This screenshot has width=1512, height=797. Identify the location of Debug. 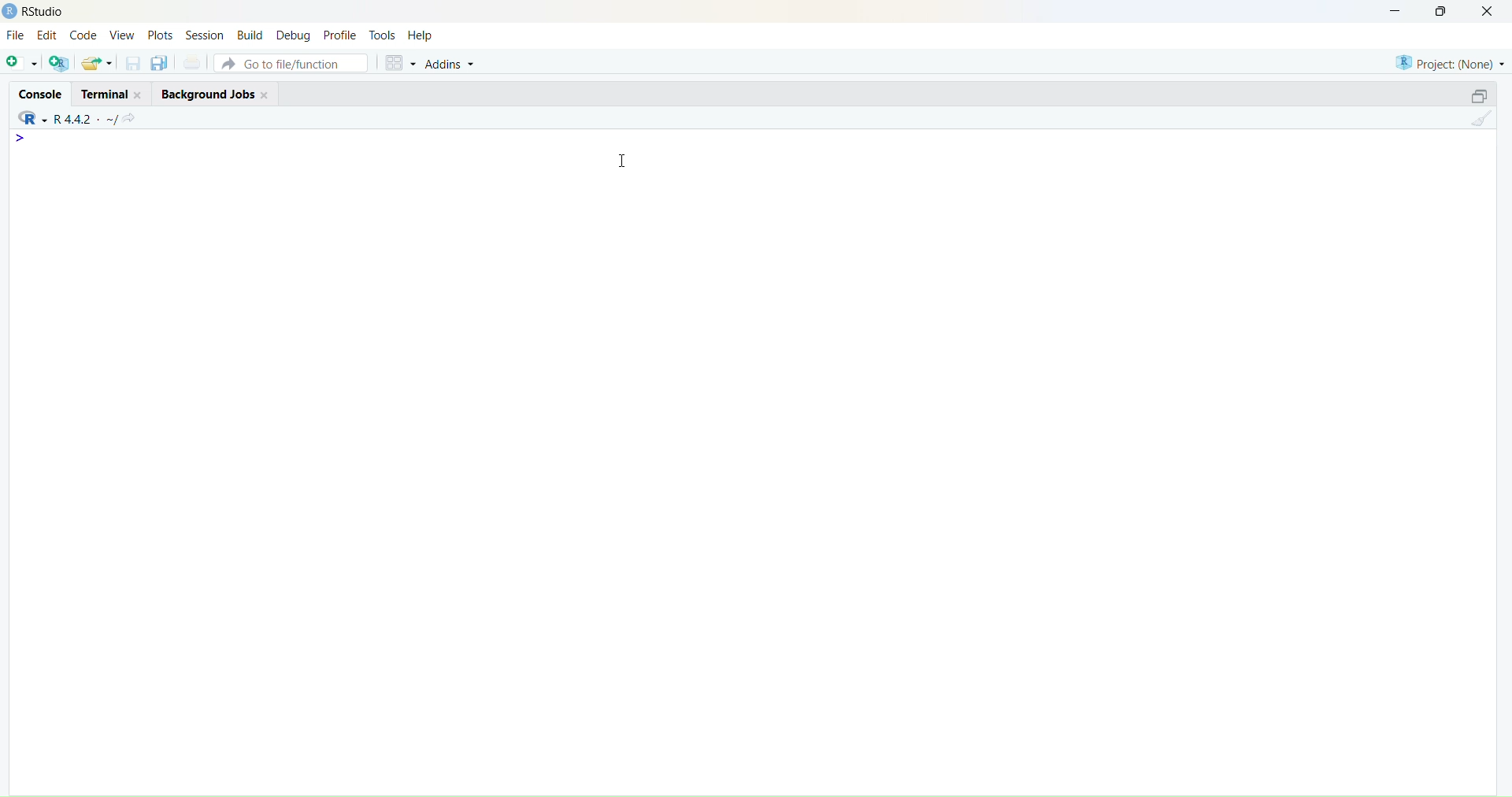
(294, 34).